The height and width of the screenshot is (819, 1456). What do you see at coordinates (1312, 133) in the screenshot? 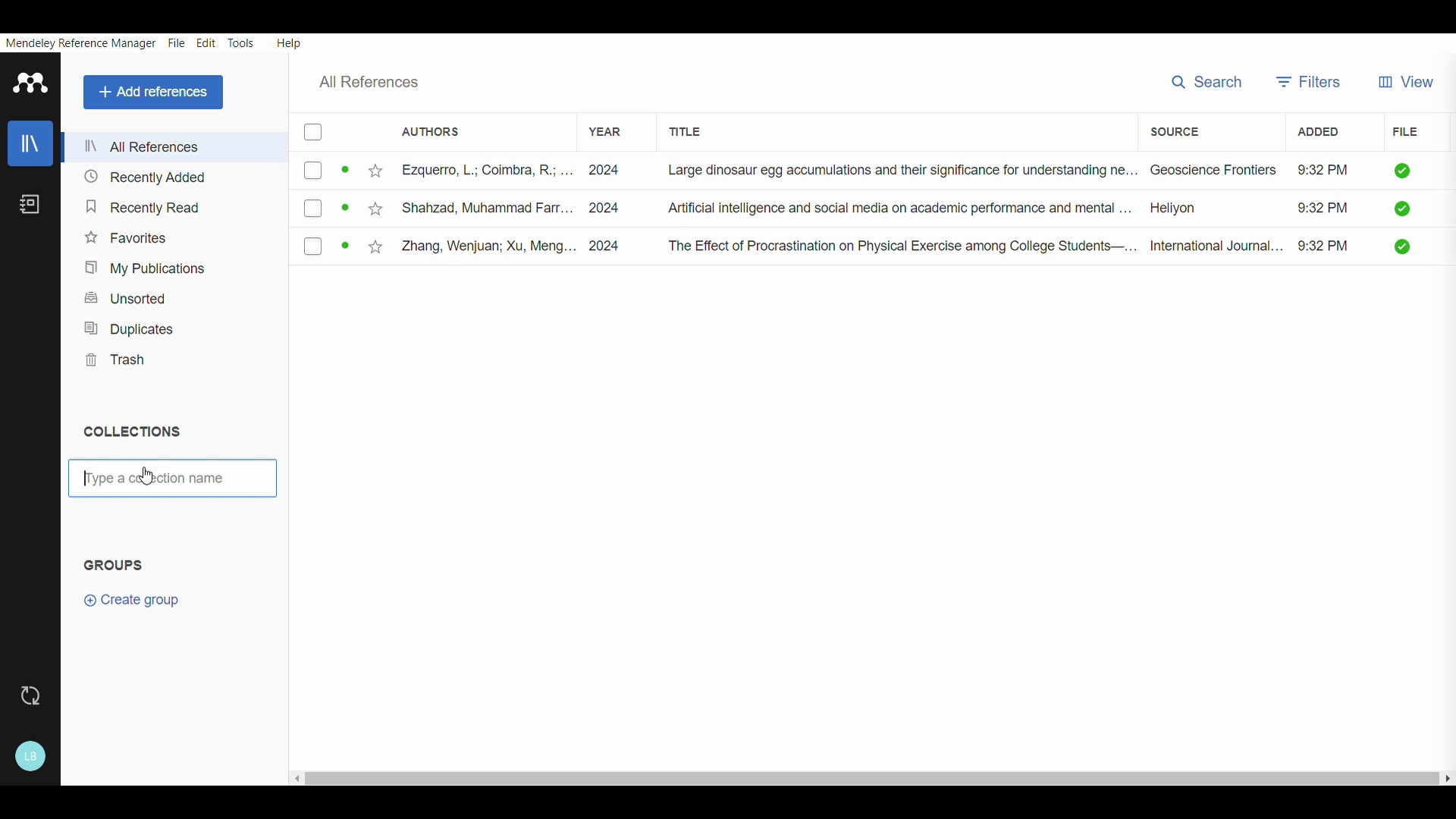
I see `ADDED` at bounding box center [1312, 133].